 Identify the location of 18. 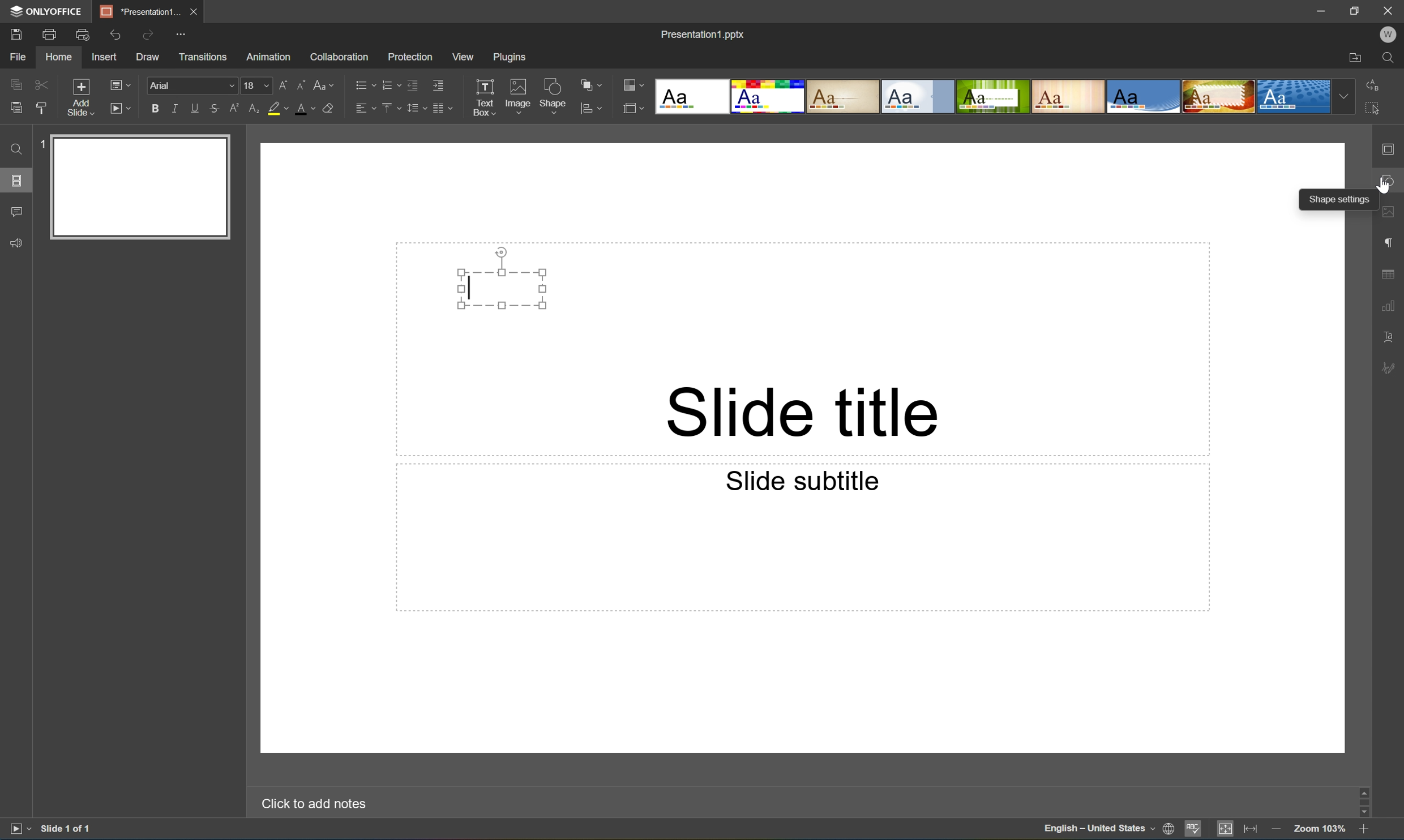
(257, 85).